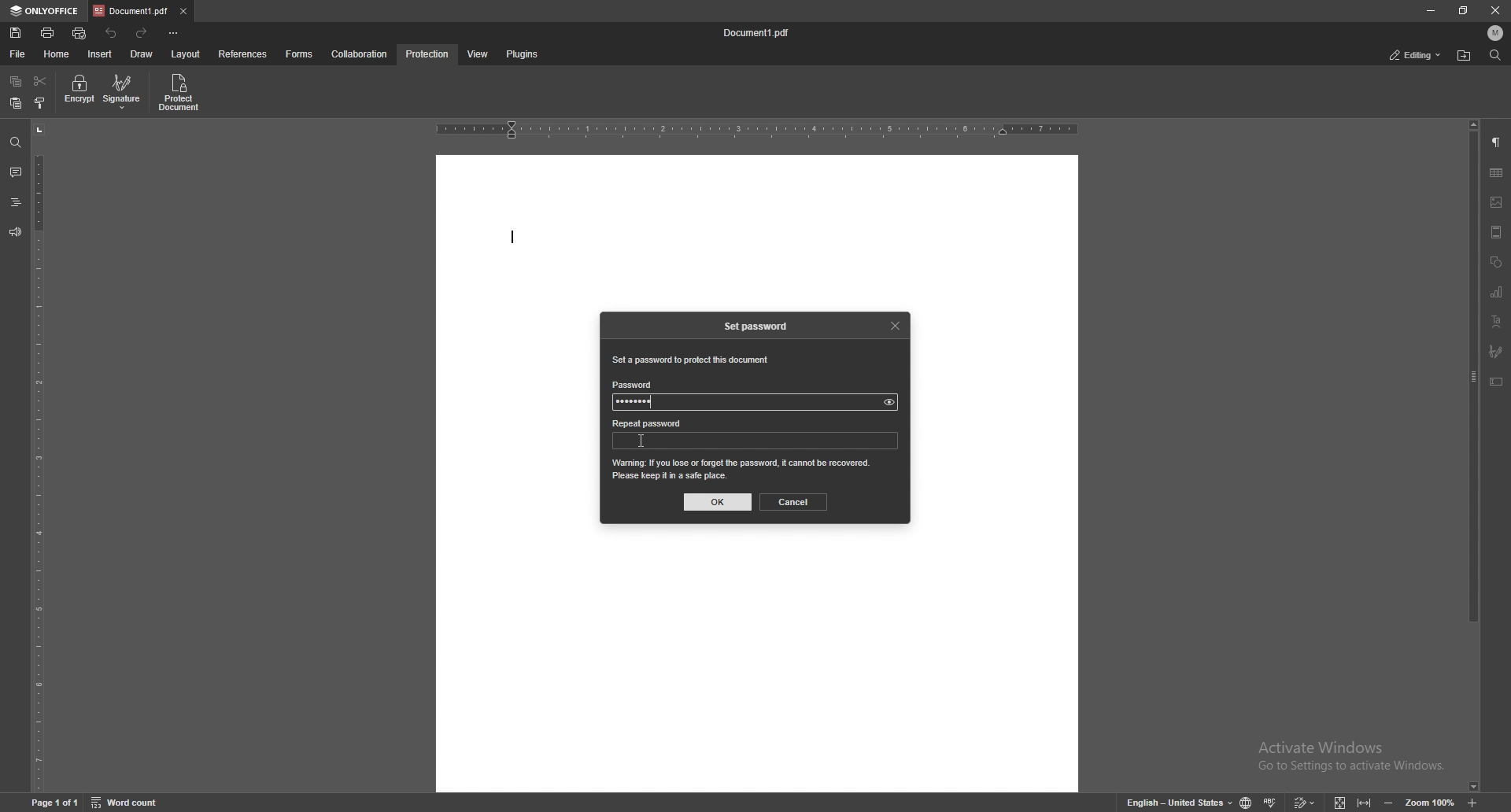 This screenshot has height=812, width=1511. What do you see at coordinates (127, 802) in the screenshot?
I see `word count` at bounding box center [127, 802].